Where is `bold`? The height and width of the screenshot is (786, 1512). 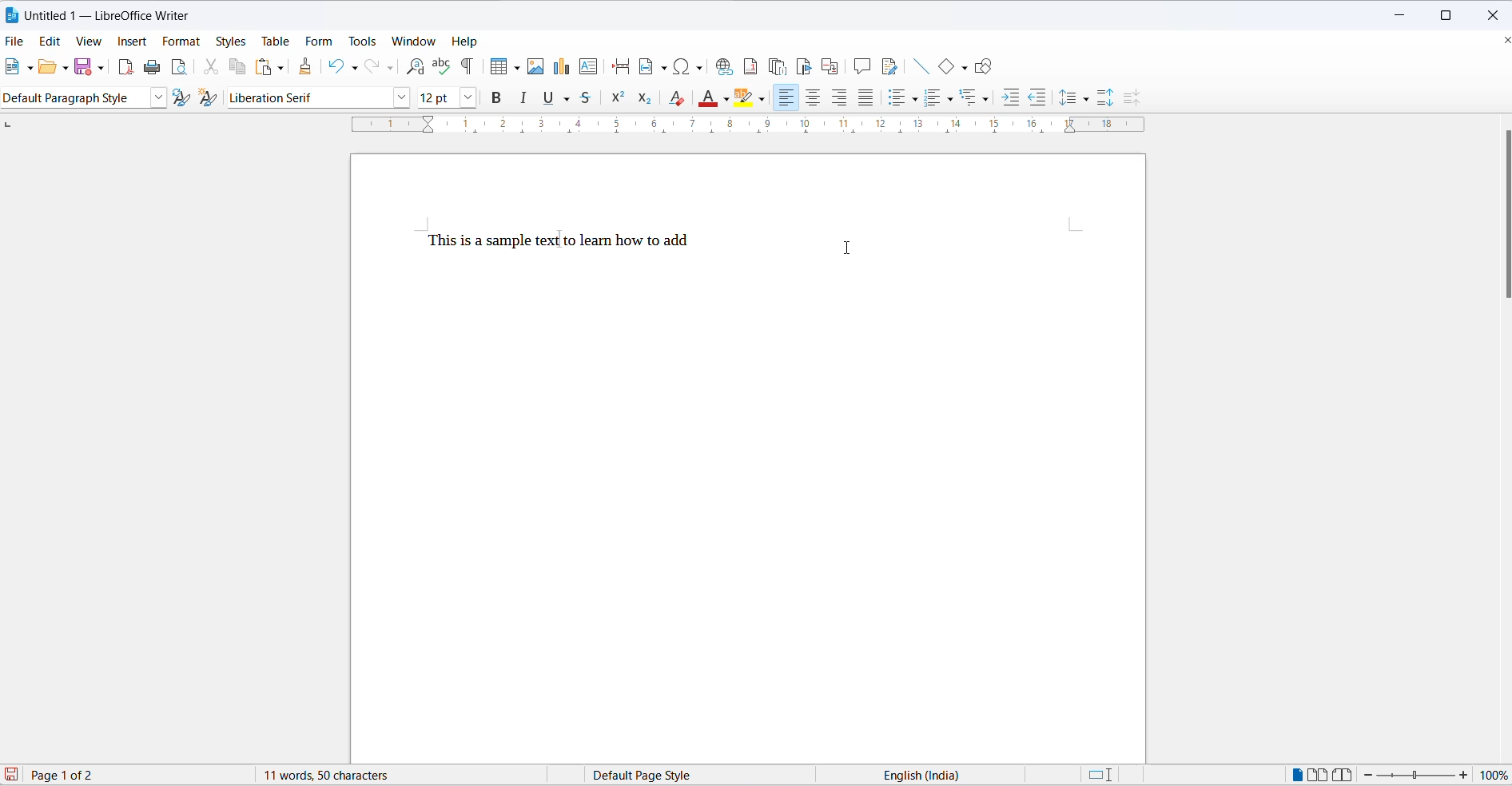 bold is located at coordinates (496, 98).